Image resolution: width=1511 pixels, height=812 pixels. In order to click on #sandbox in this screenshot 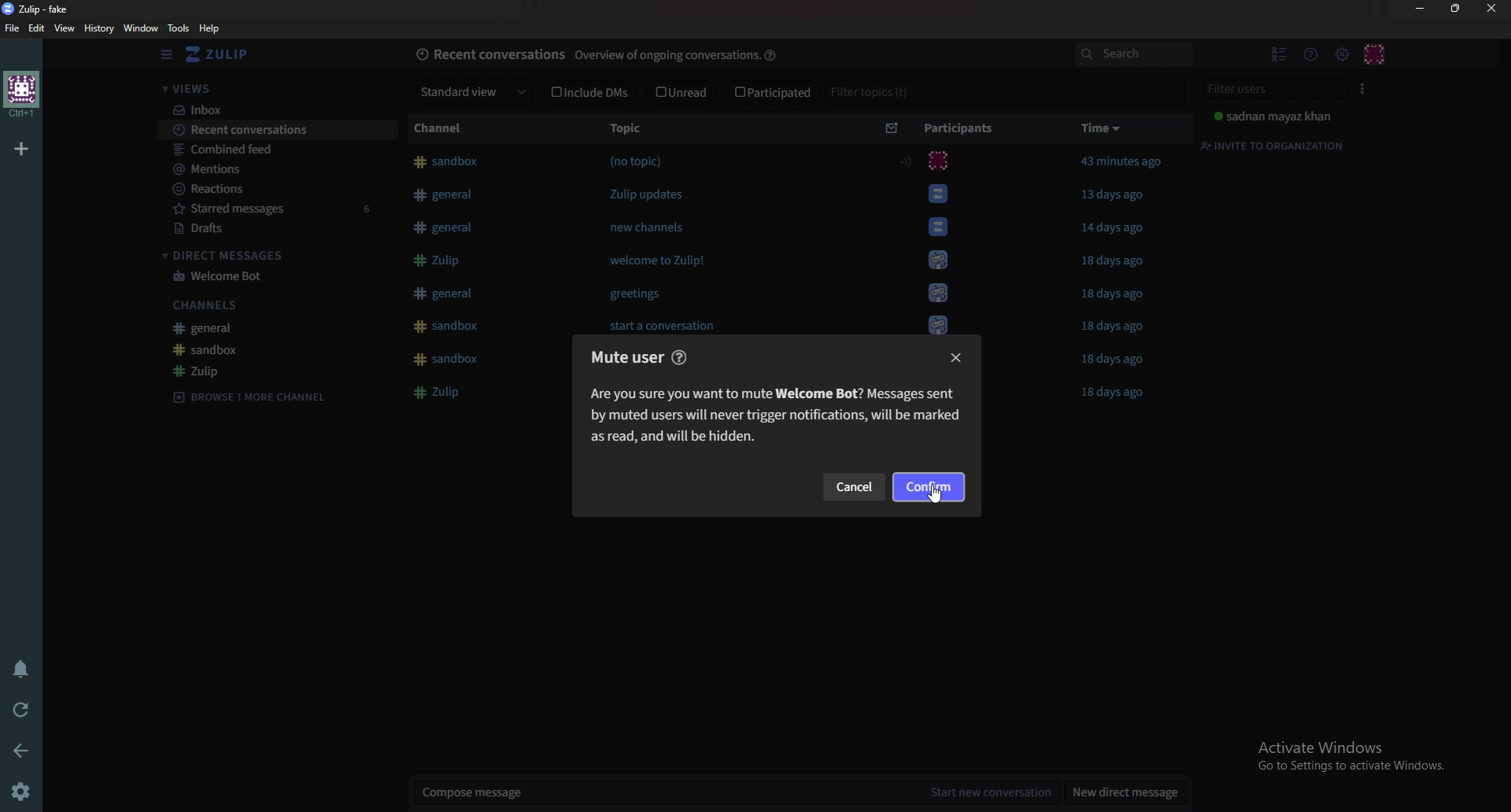, I will do `click(450, 361)`.